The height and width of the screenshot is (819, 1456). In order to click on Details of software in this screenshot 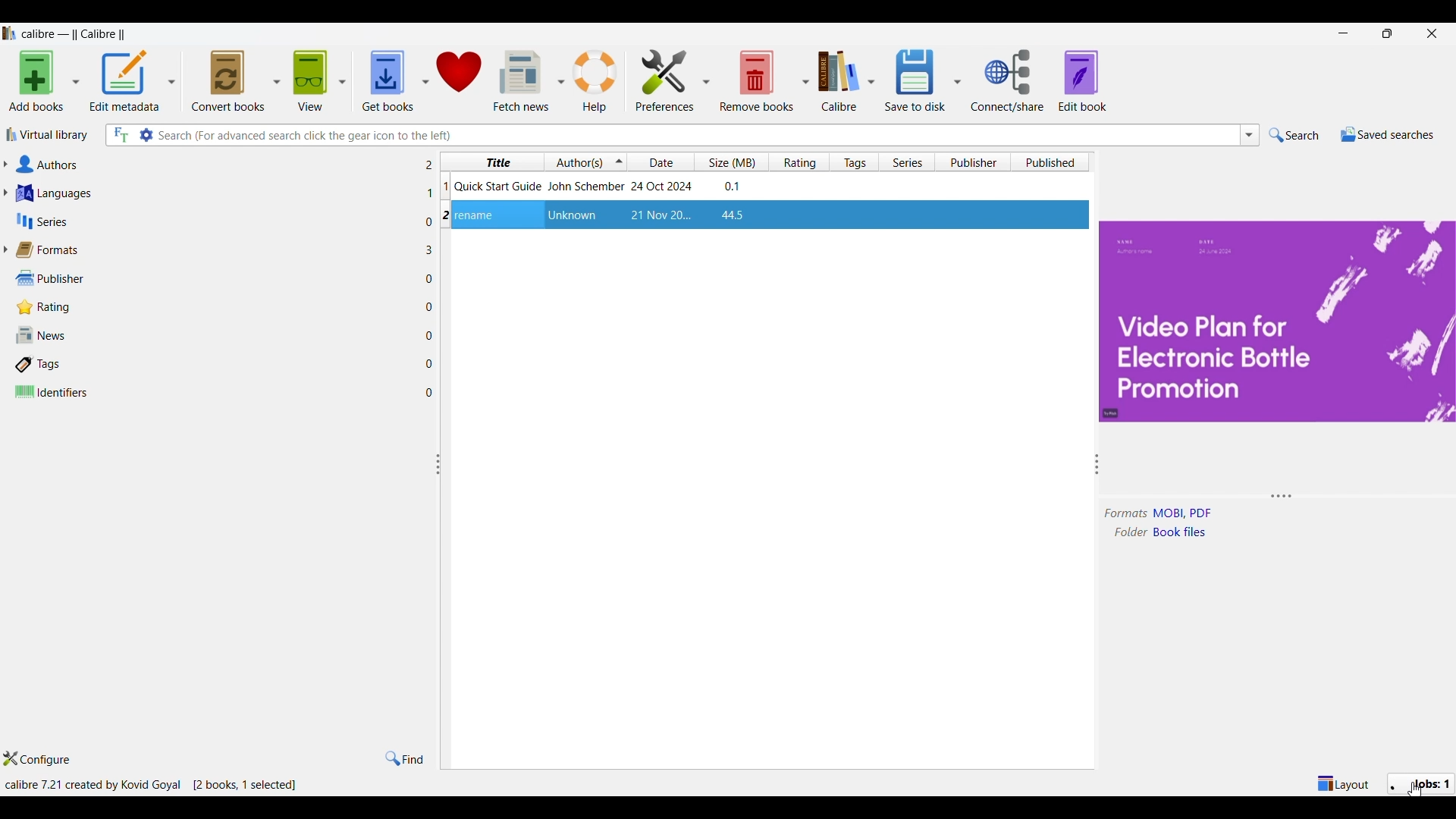, I will do `click(151, 785)`.